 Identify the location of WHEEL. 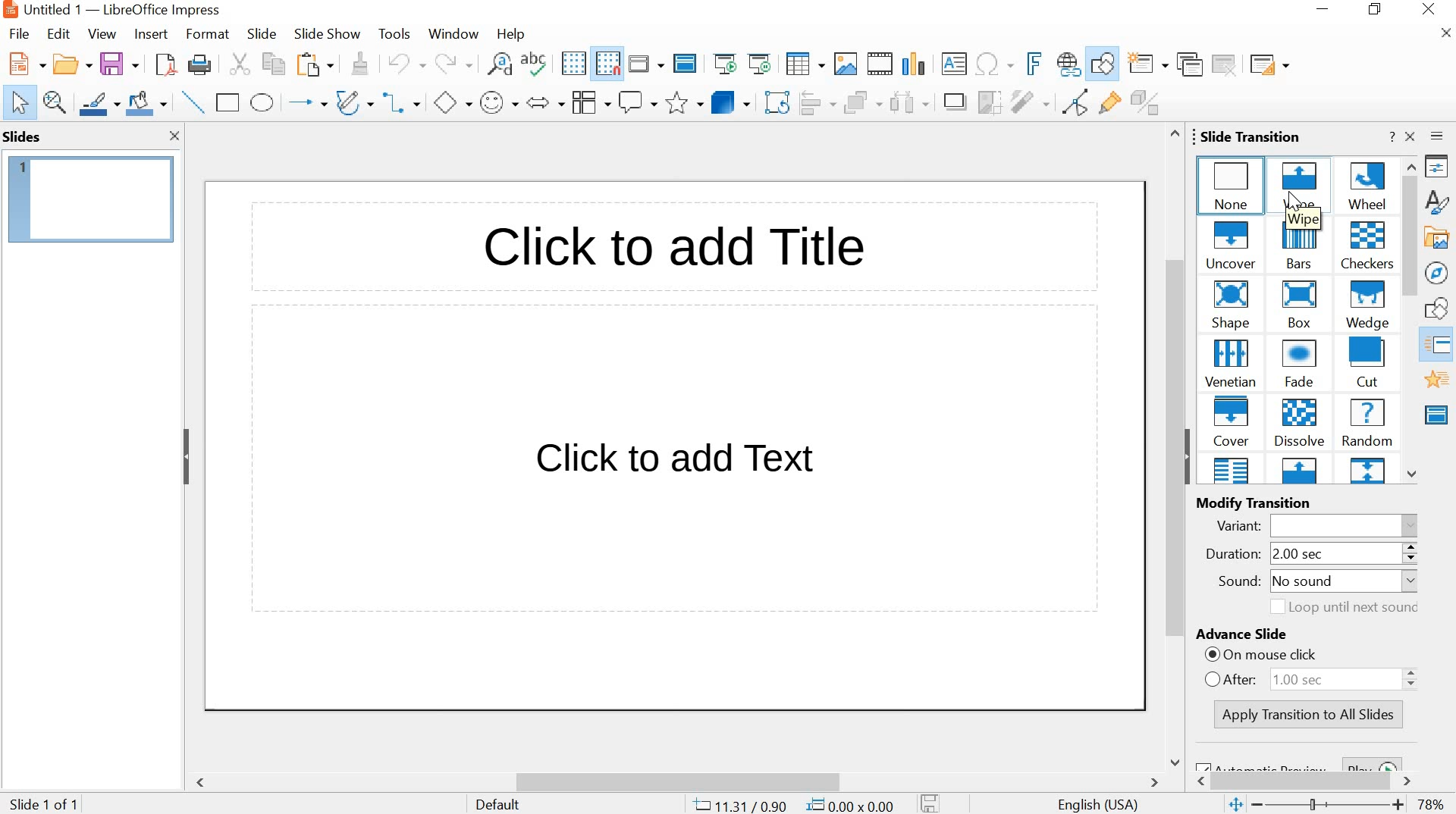
(1367, 185).